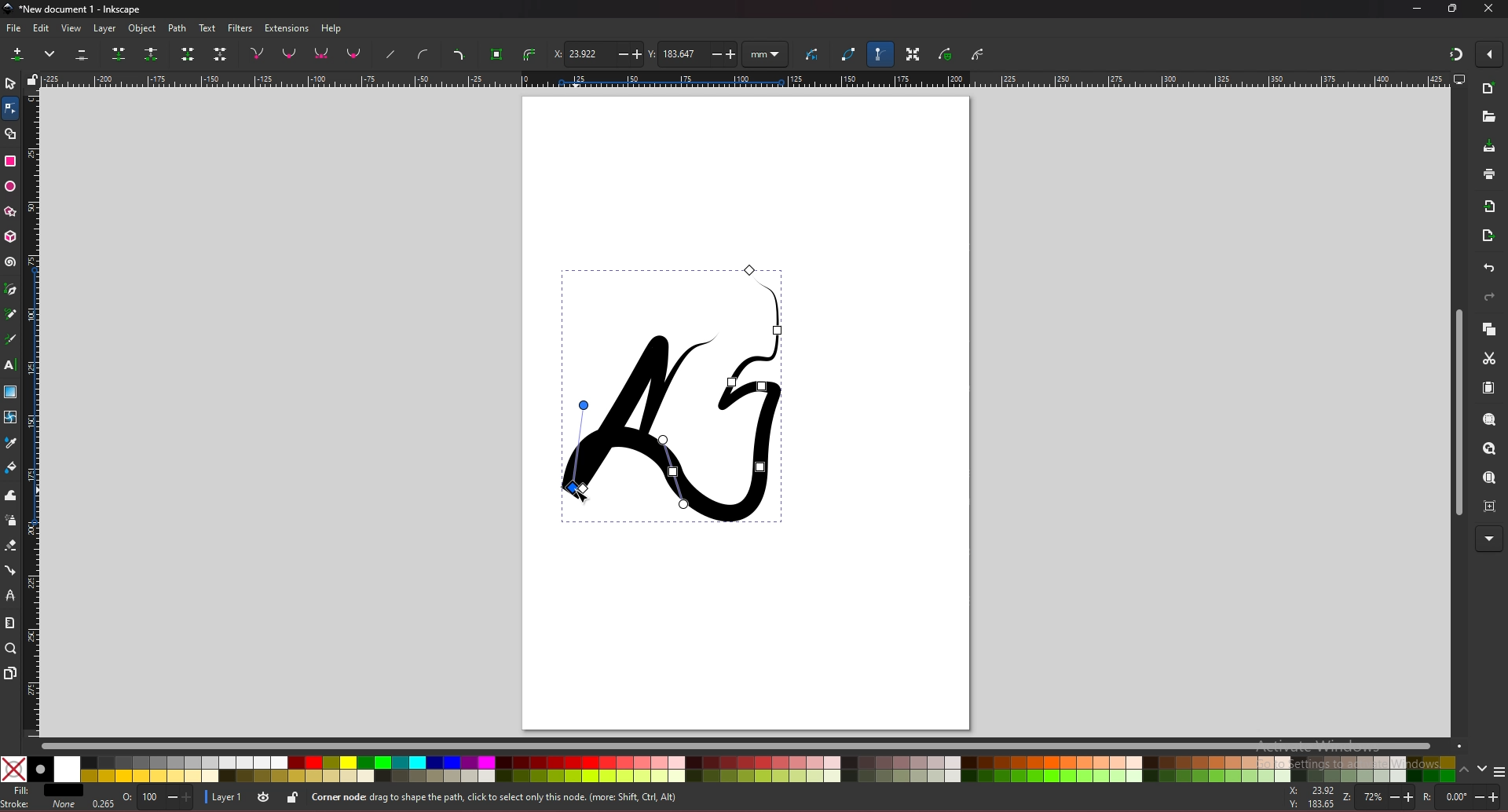  I want to click on more, so click(51, 53).